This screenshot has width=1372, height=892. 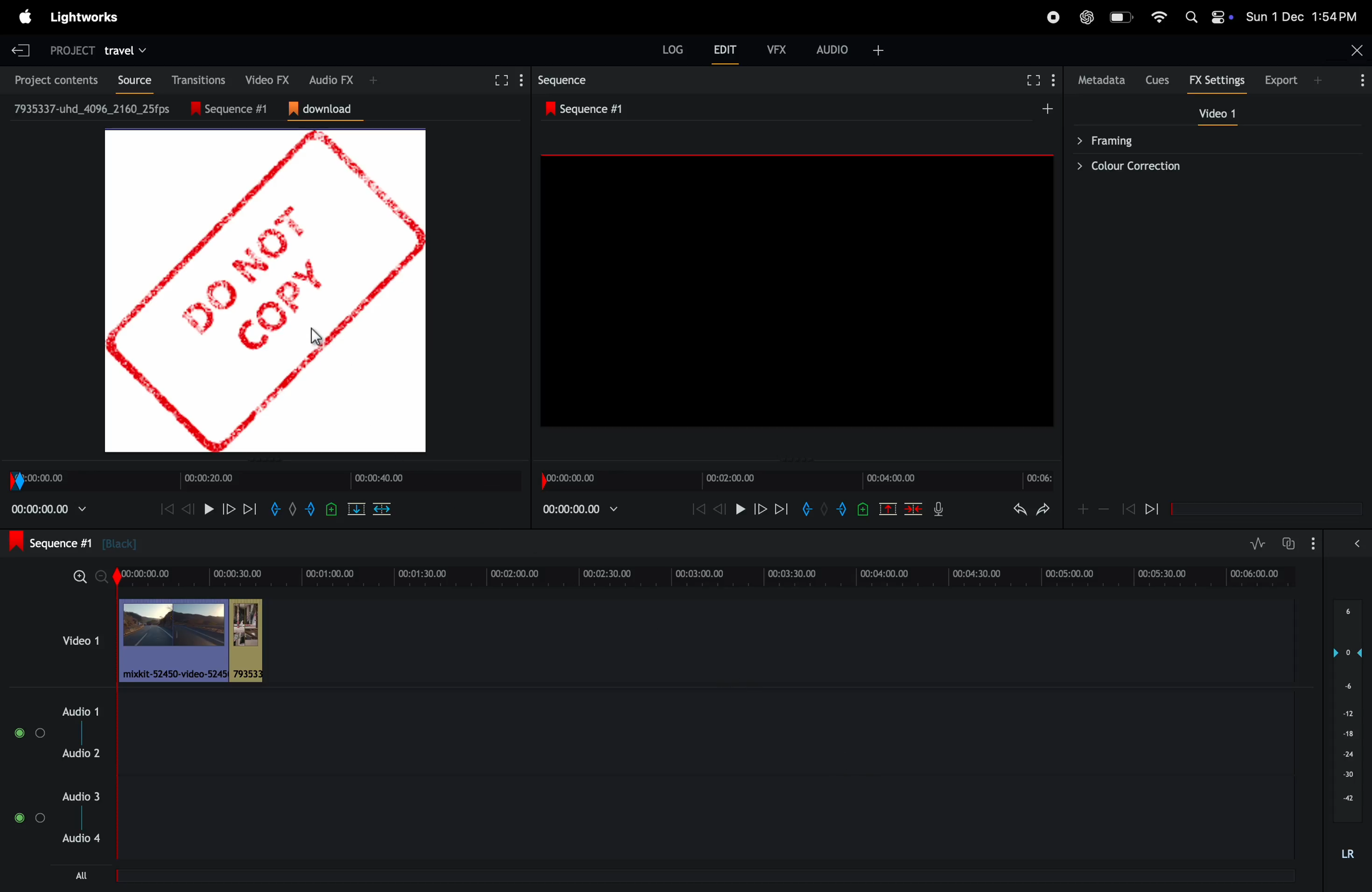 I want to click on vfx, so click(x=777, y=50).